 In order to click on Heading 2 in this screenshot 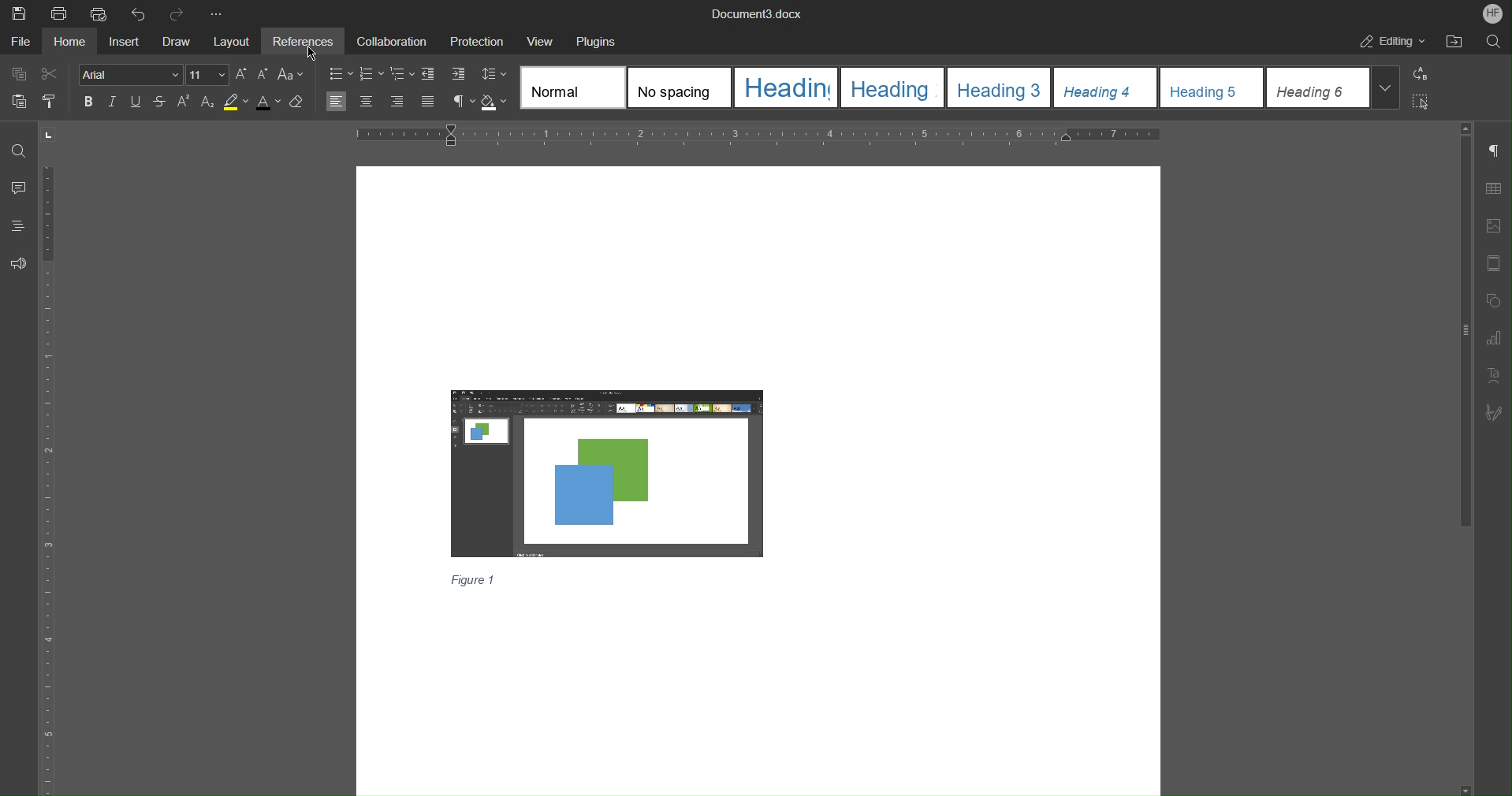, I will do `click(891, 87)`.